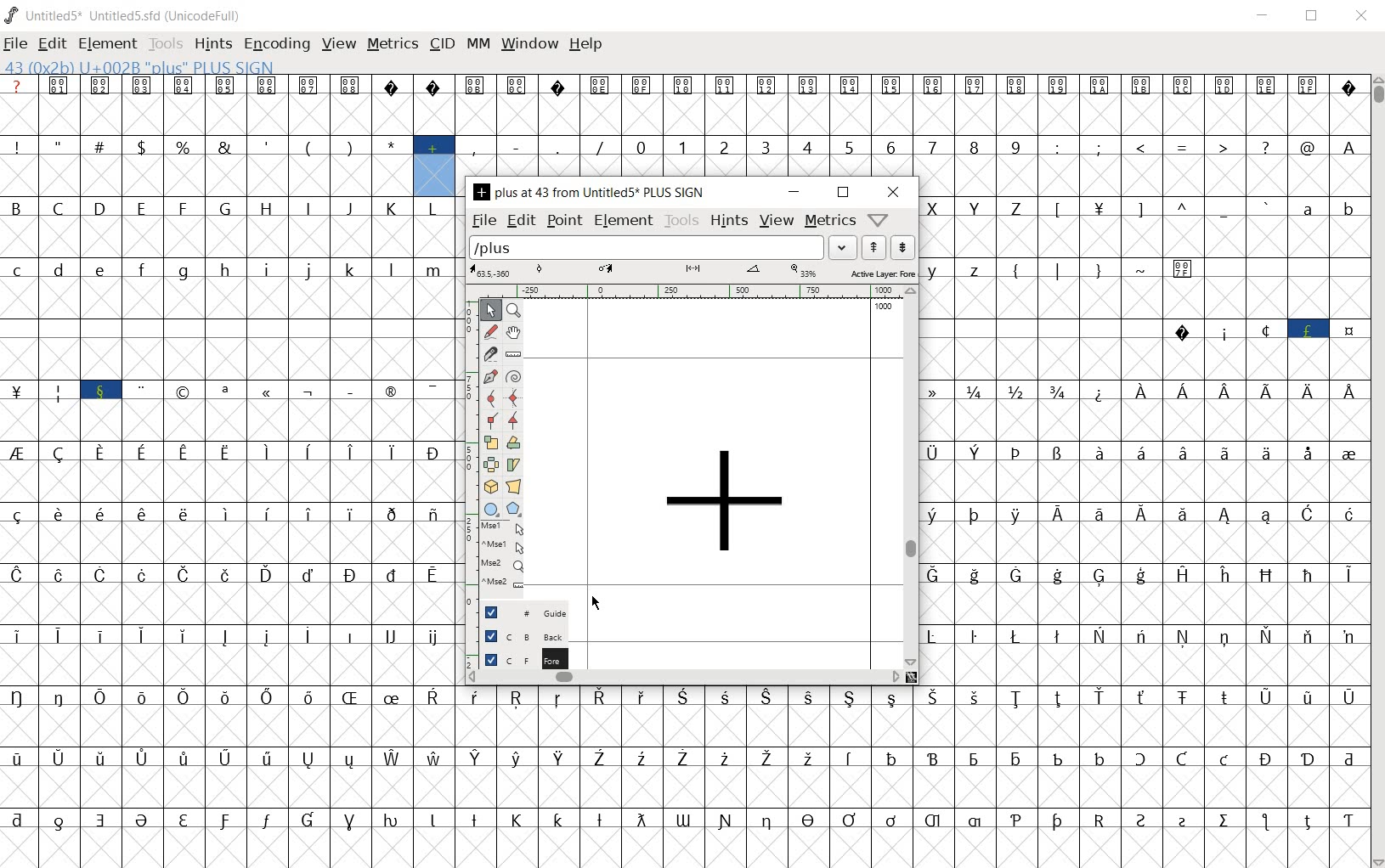 Image resolution: width=1385 pixels, height=868 pixels. I want to click on https://labeling-s.turing.com/conversations/75682/view, so click(1098, 778).